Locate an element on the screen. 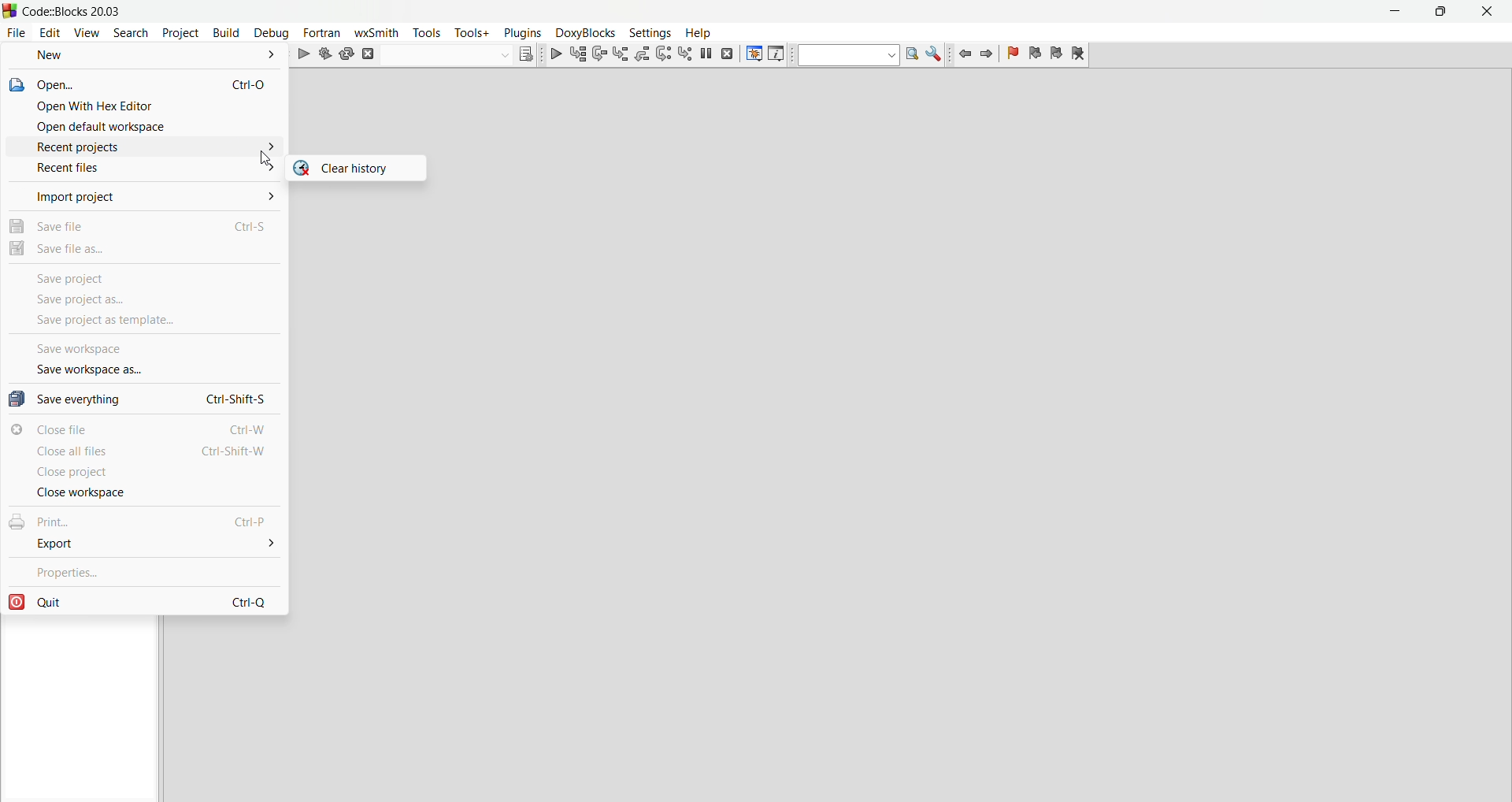 The width and height of the screenshot is (1512, 802). stop debugger is located at coordinates (727, 54).